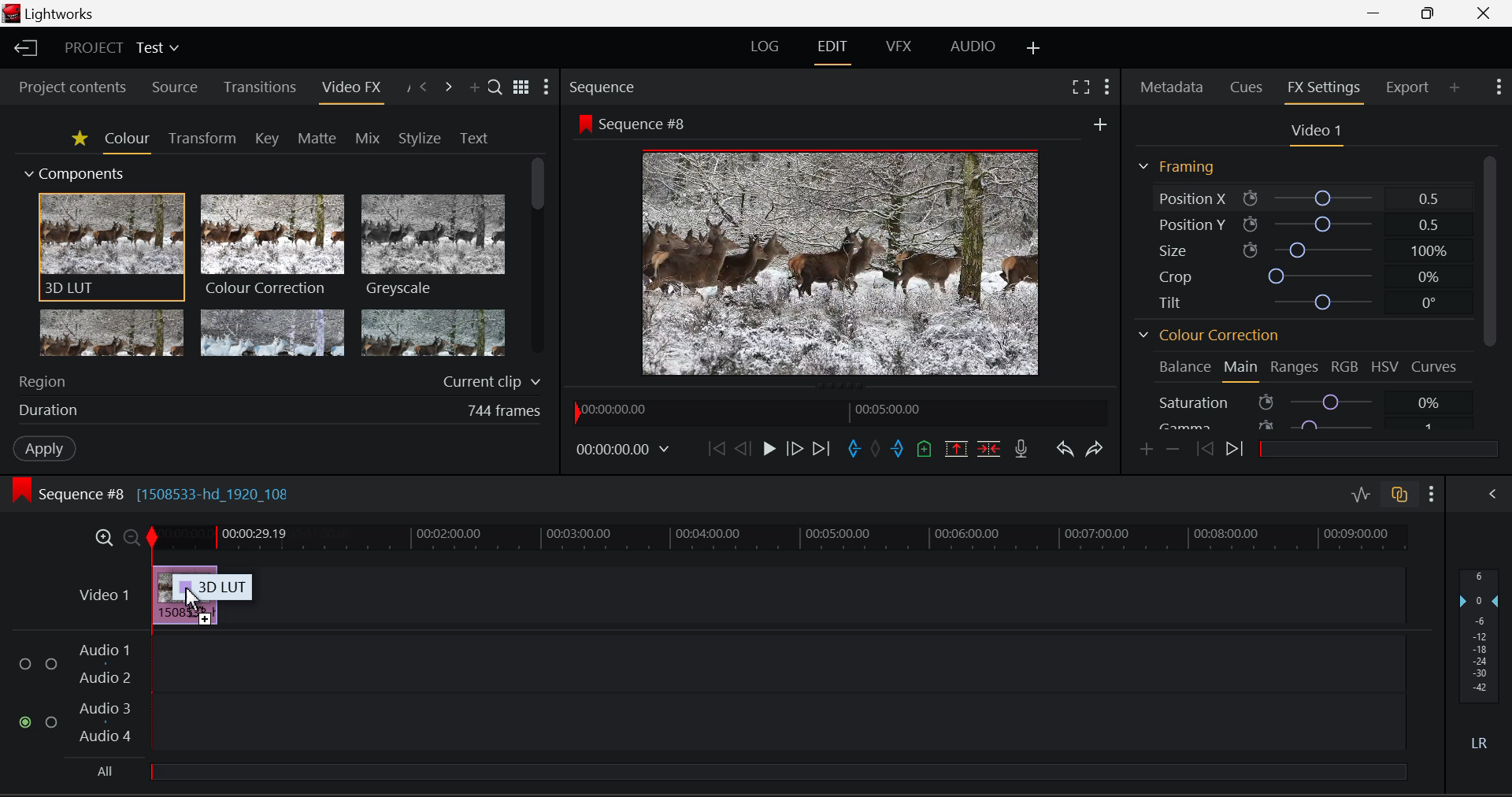 This screenshot has height=797, width=1512. What do you see at coordinates (837, 265) in the screenshot?
I see `Sequence Preview Screen` at bounding box center [837, 265].